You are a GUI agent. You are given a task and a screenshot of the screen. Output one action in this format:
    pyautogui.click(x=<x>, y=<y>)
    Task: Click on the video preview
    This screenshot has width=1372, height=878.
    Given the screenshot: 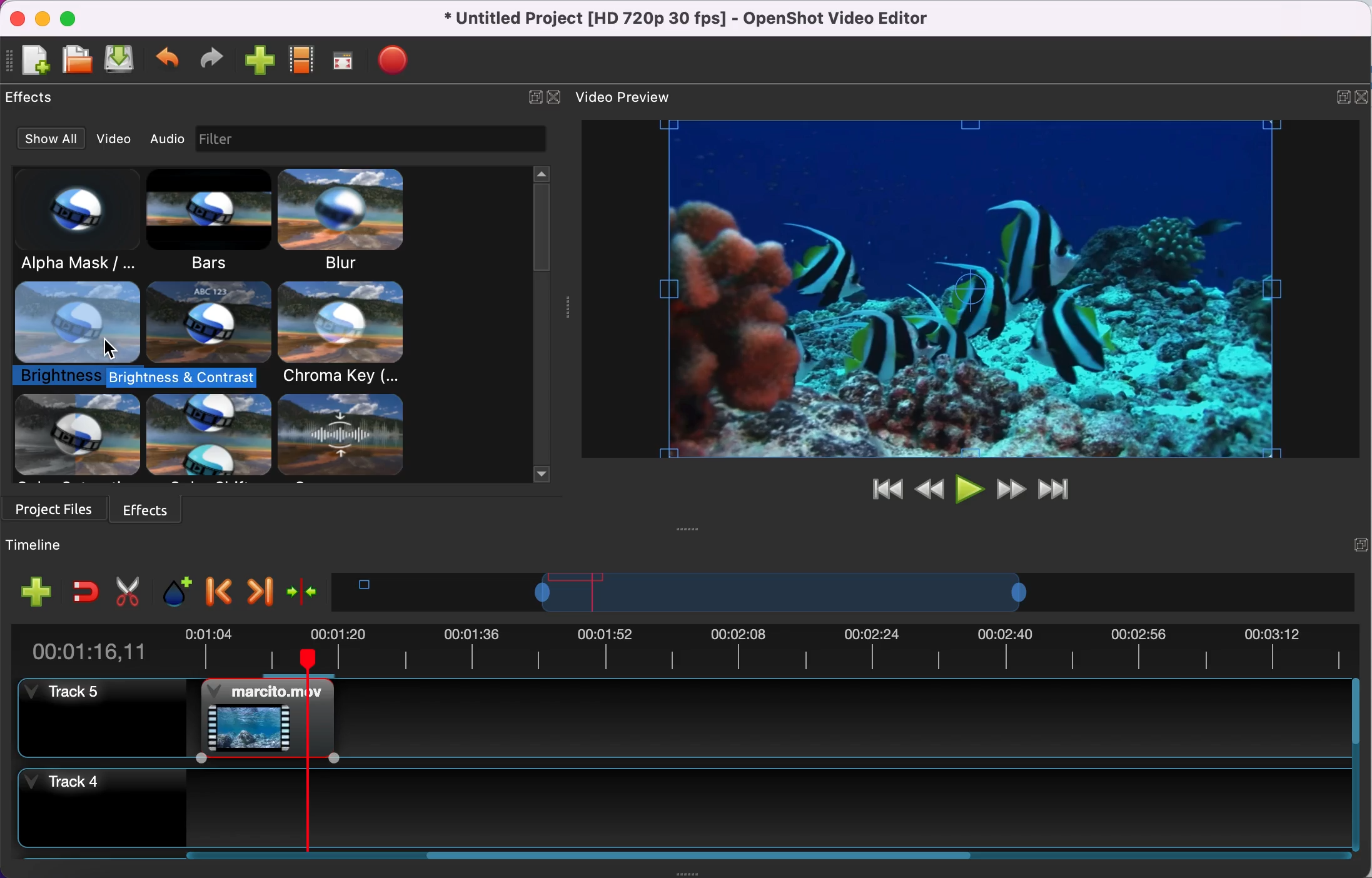 What is the action you would take?
    pyautogui.click(x=628, y=96)
    